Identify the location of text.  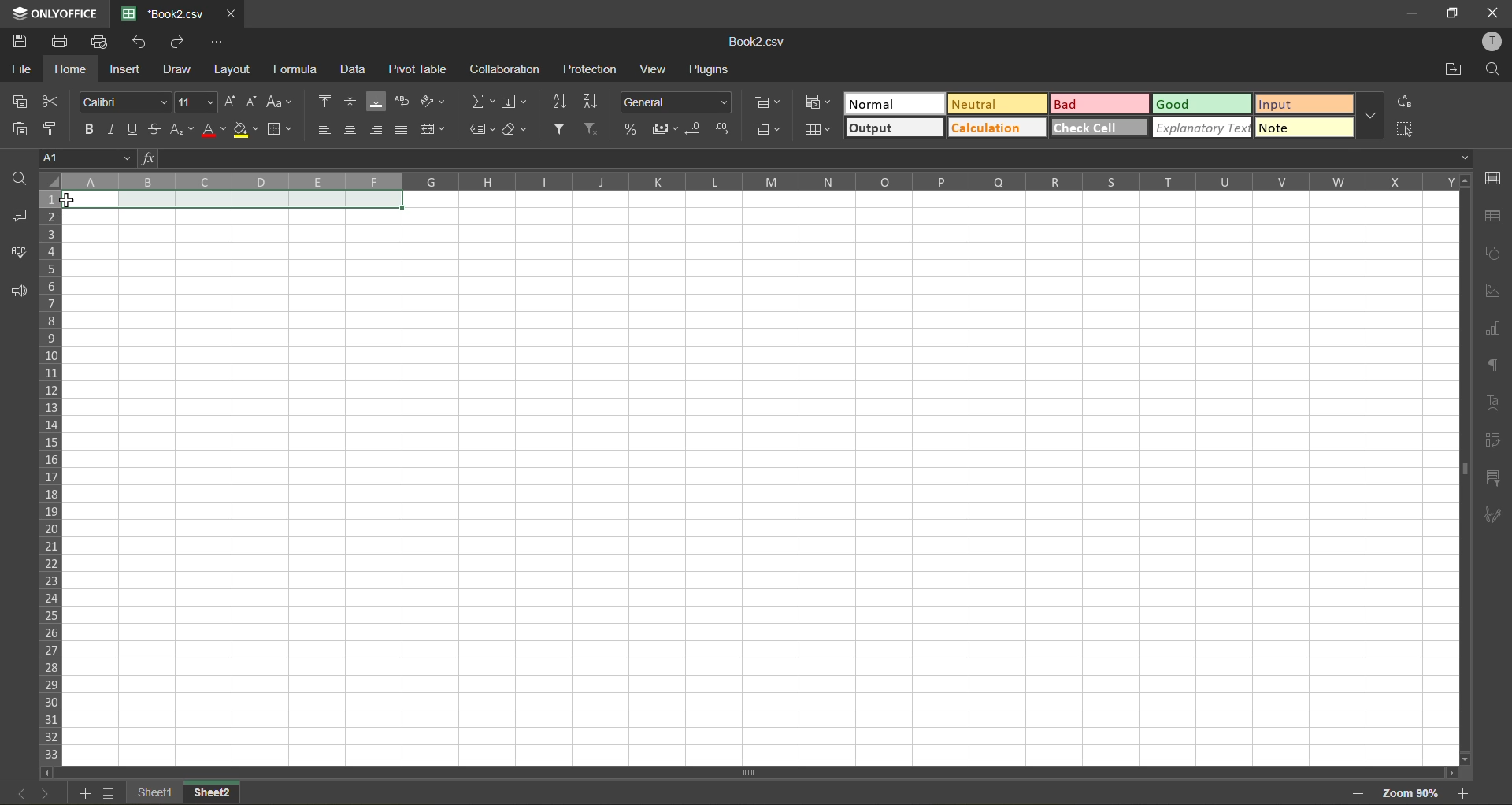
(1494, 403).